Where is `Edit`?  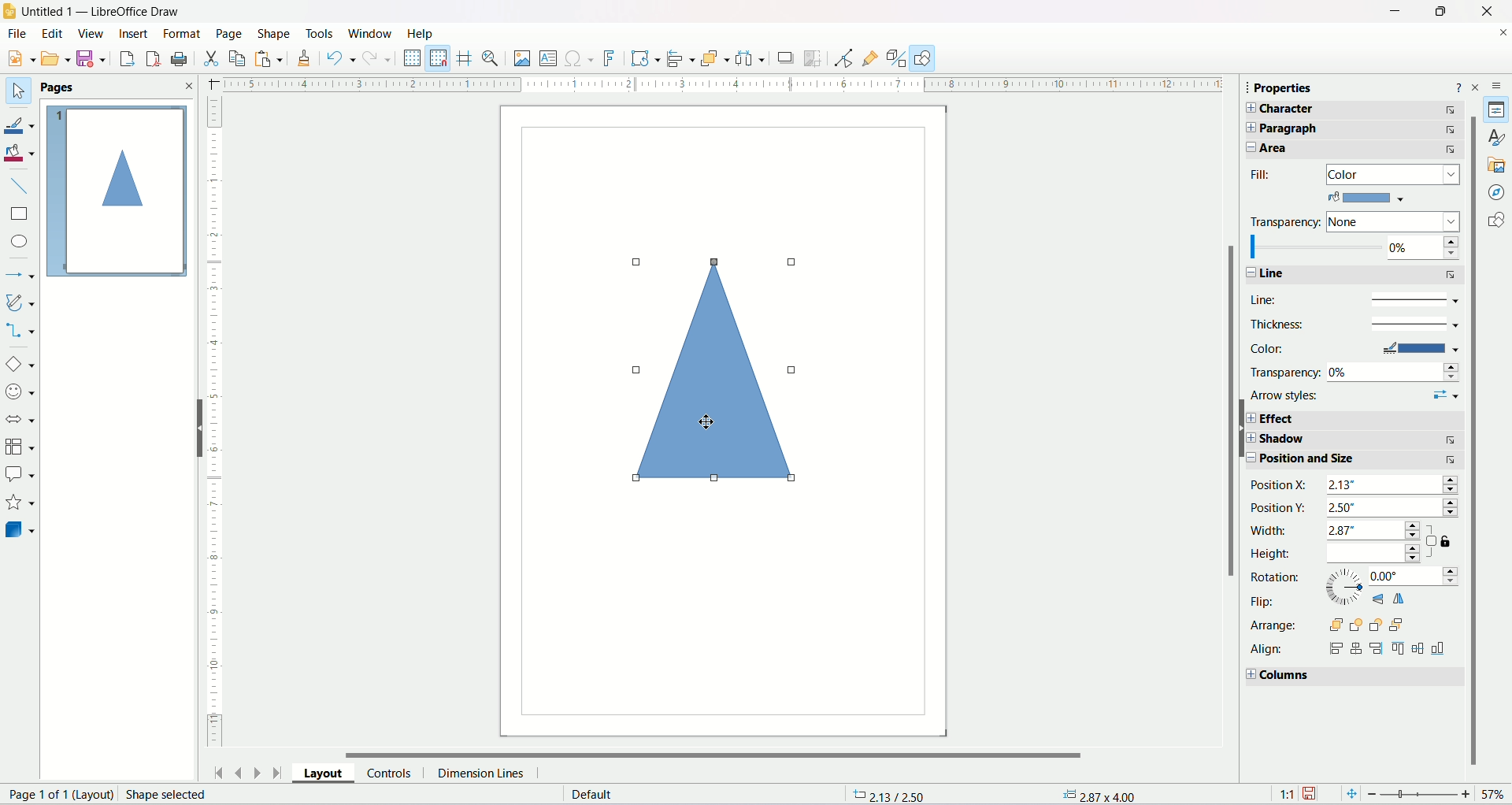 Edit is located at coordinates (50, 34).